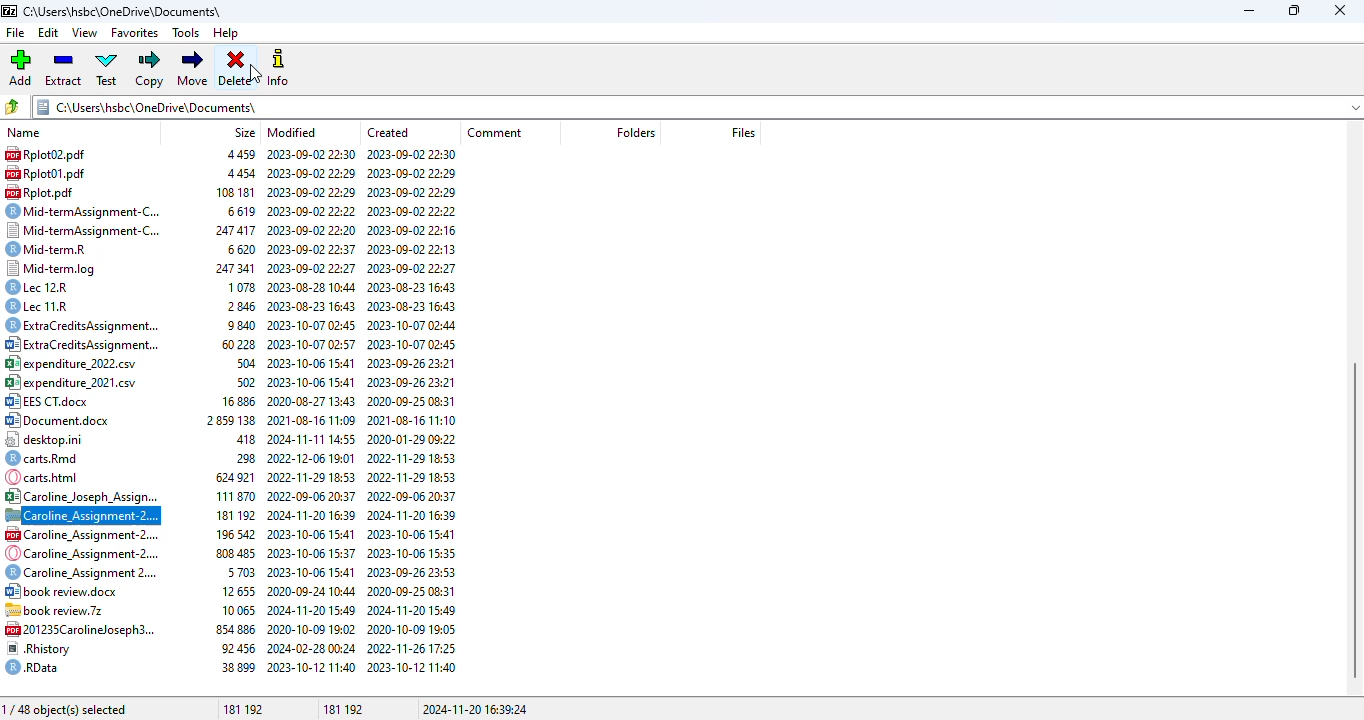  I want to click on 2024-11-20 15:49, so click(310, 609).